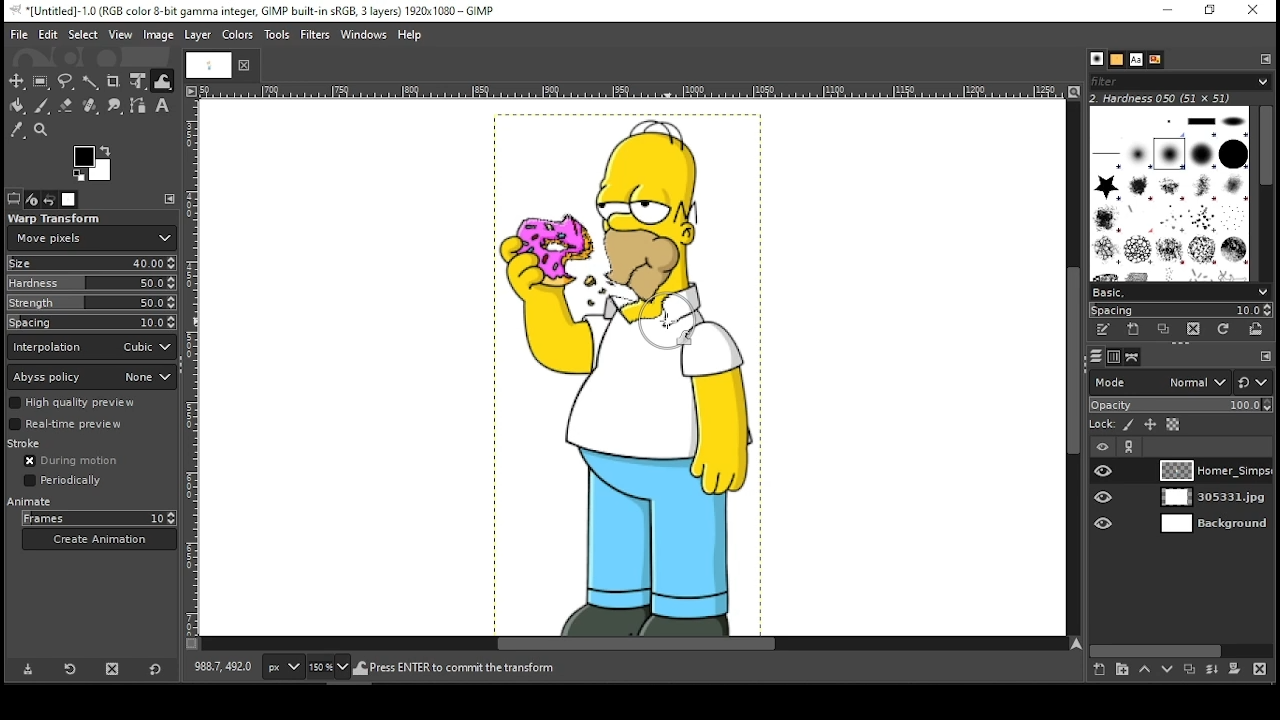 This screenshot has width=1280, height=720. I want to click on image, so click(629, 374).